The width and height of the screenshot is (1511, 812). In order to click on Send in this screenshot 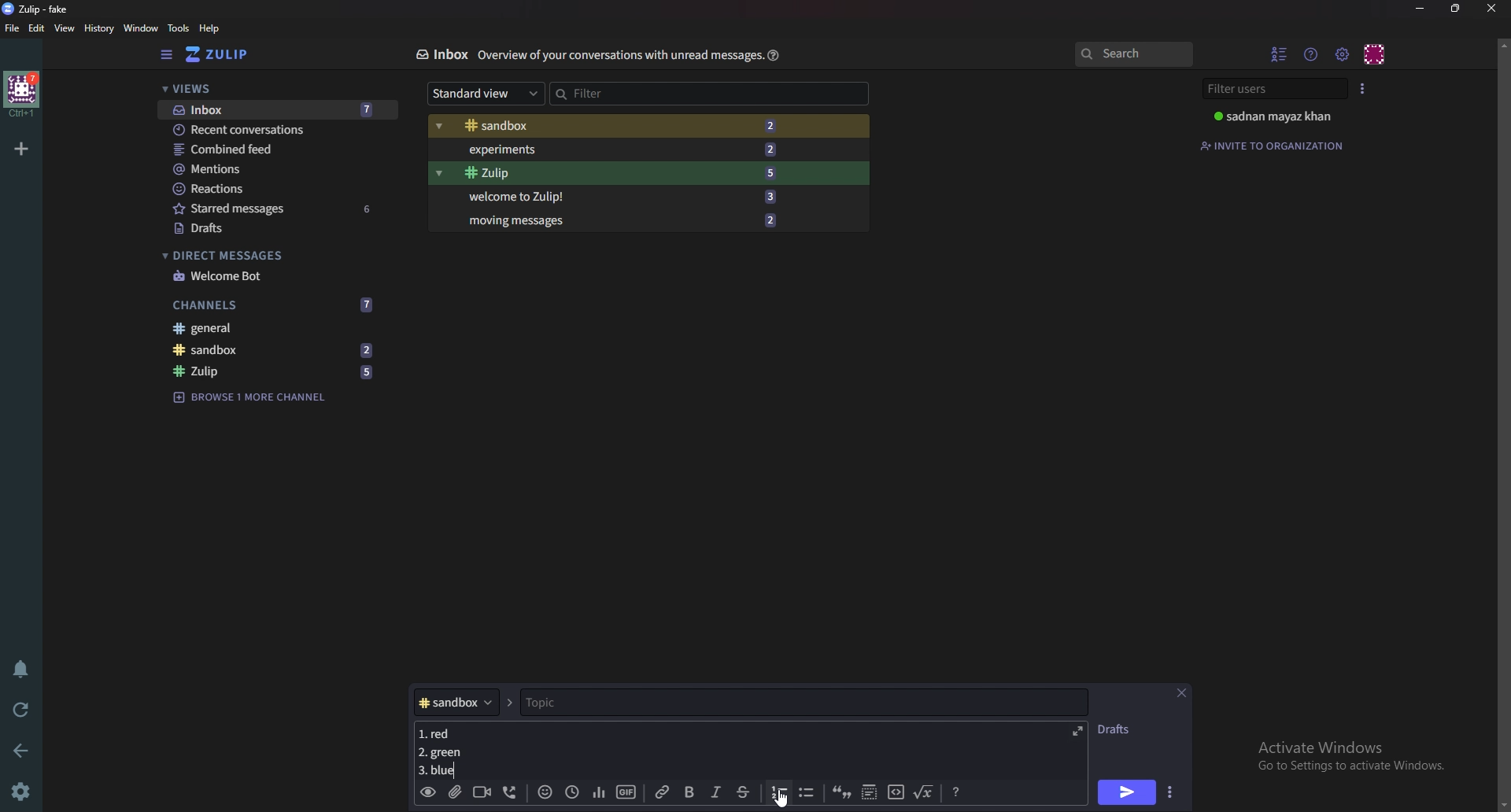, I will do `click(1127, 792)`.